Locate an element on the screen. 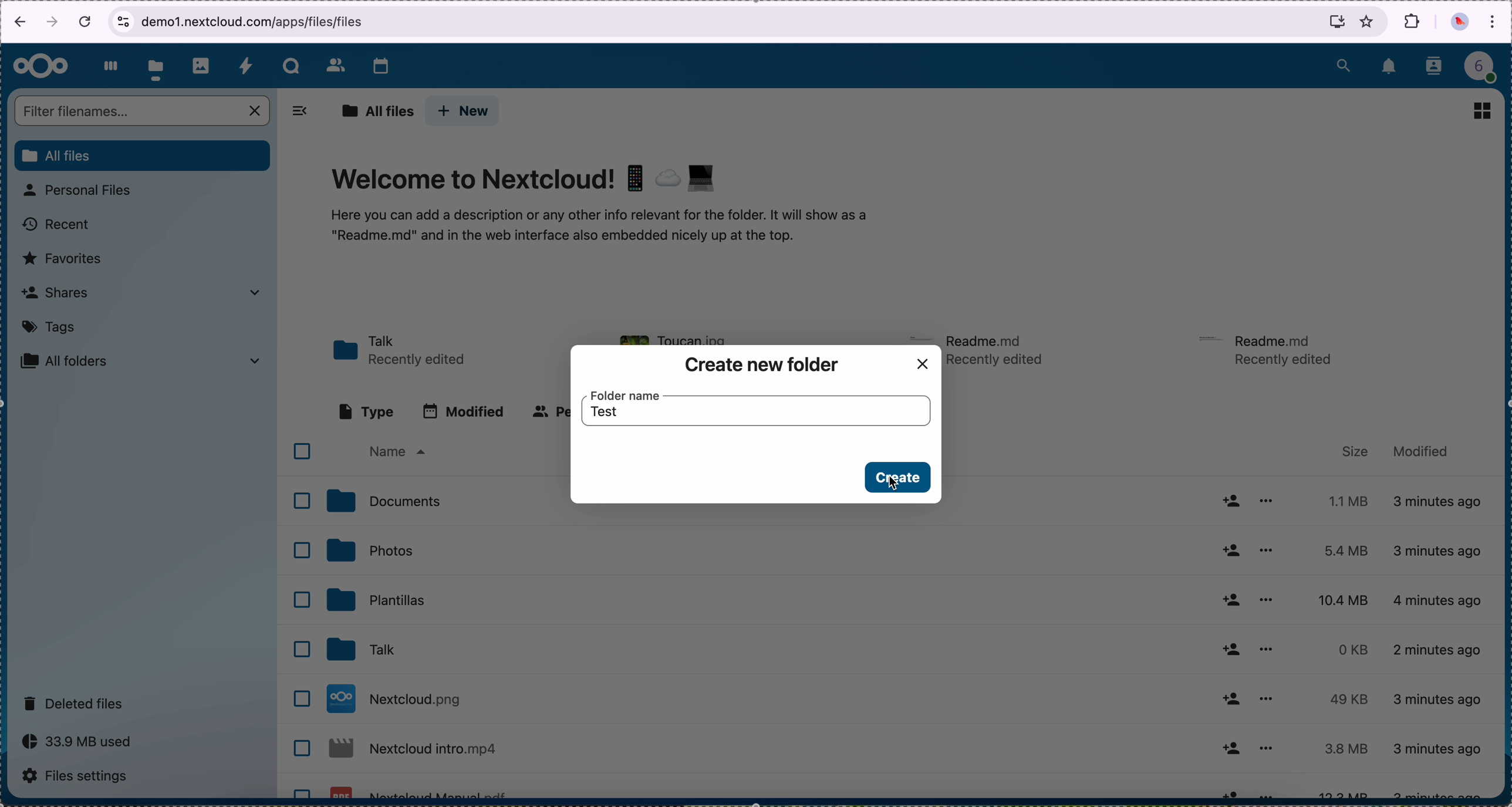 The height and width of the screenshot is (807, 1512). share is located at coordinates (1227, 792).